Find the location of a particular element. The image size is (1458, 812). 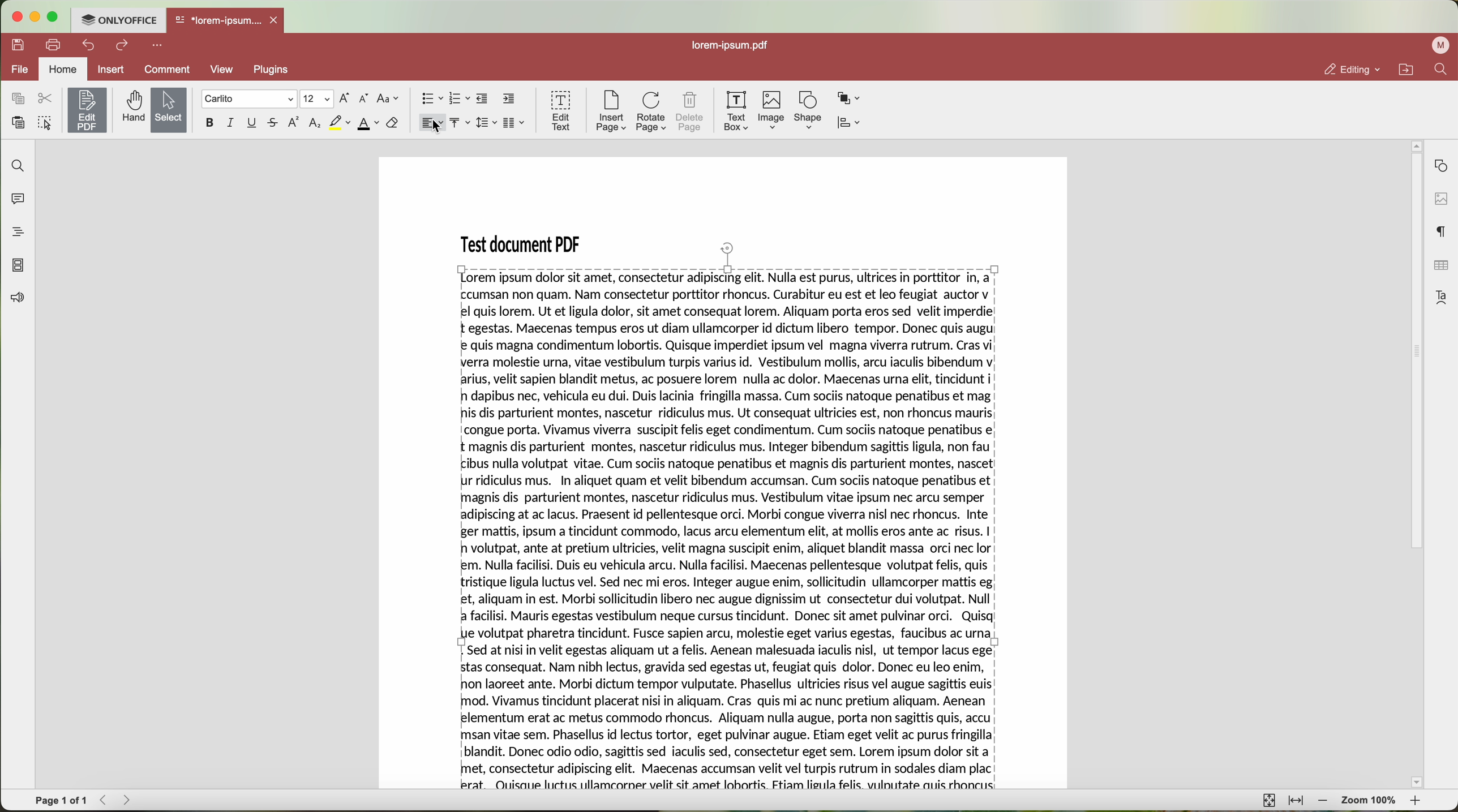

feedback & support is located at coordinates (20, 299).